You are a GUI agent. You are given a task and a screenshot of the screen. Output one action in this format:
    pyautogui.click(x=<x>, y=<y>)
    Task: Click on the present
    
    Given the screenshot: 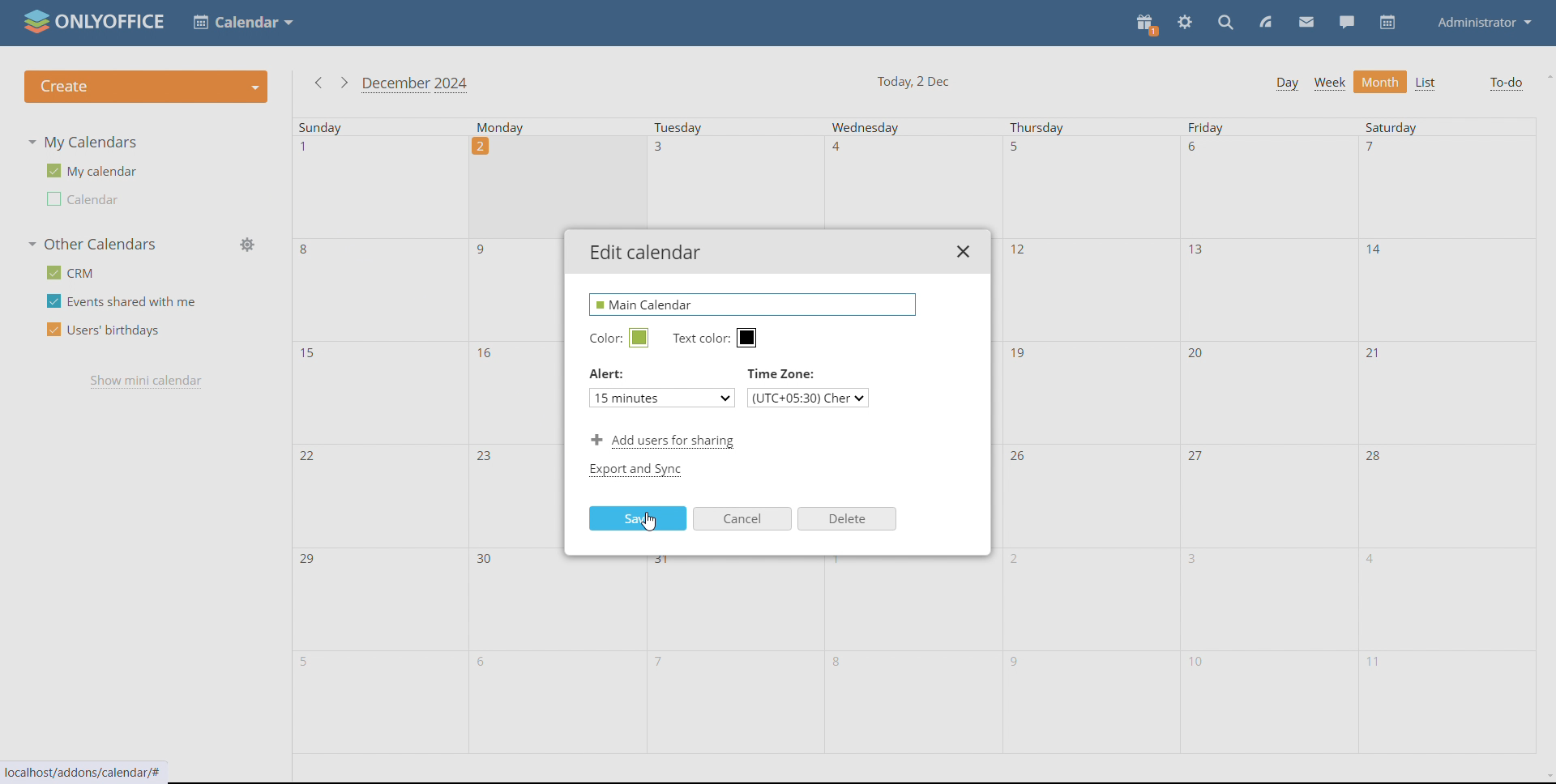 What is the action you would take?
    pyautogui.click(x=1146, y=25)
    